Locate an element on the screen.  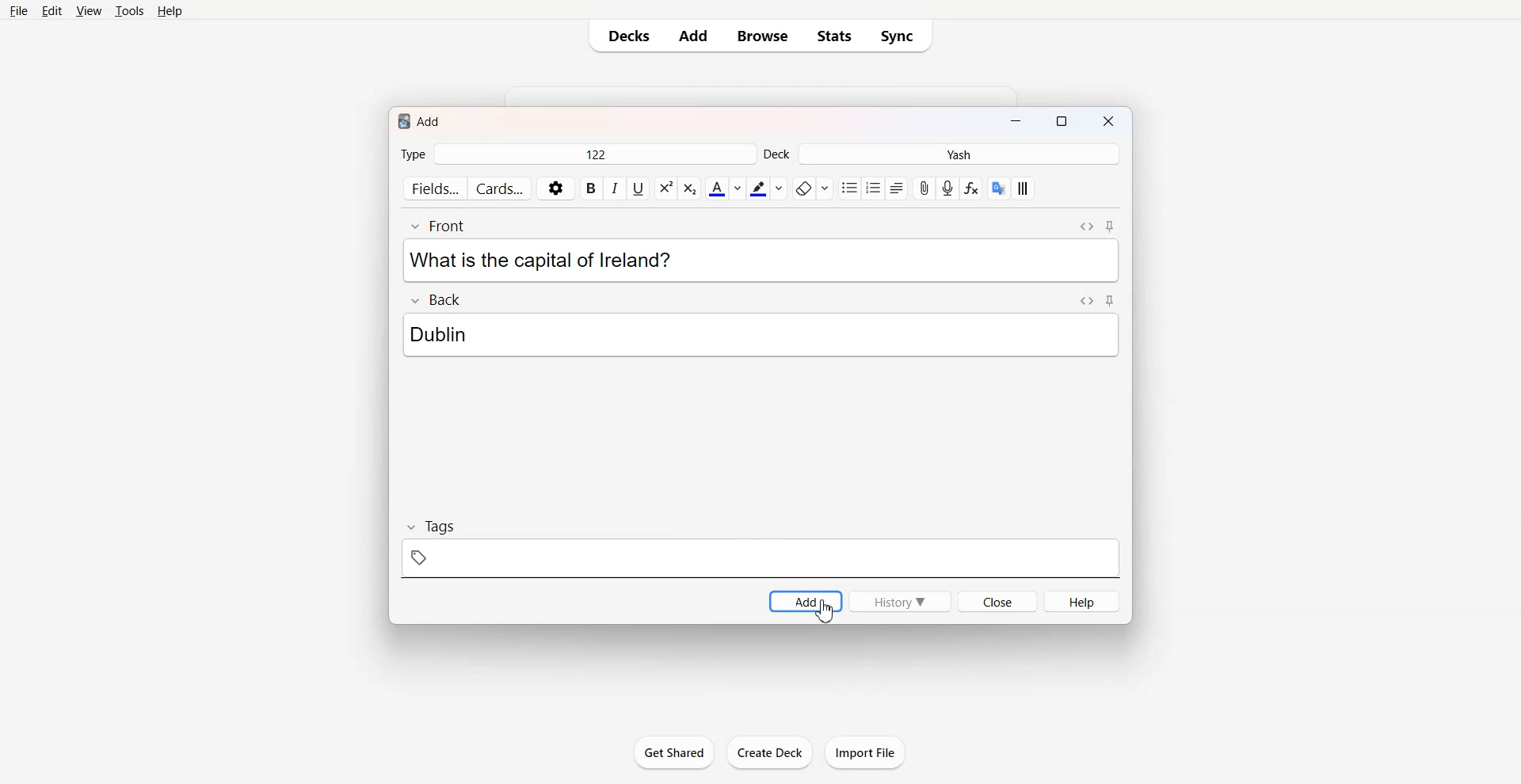
Cards is located at coordinates (501, 188).